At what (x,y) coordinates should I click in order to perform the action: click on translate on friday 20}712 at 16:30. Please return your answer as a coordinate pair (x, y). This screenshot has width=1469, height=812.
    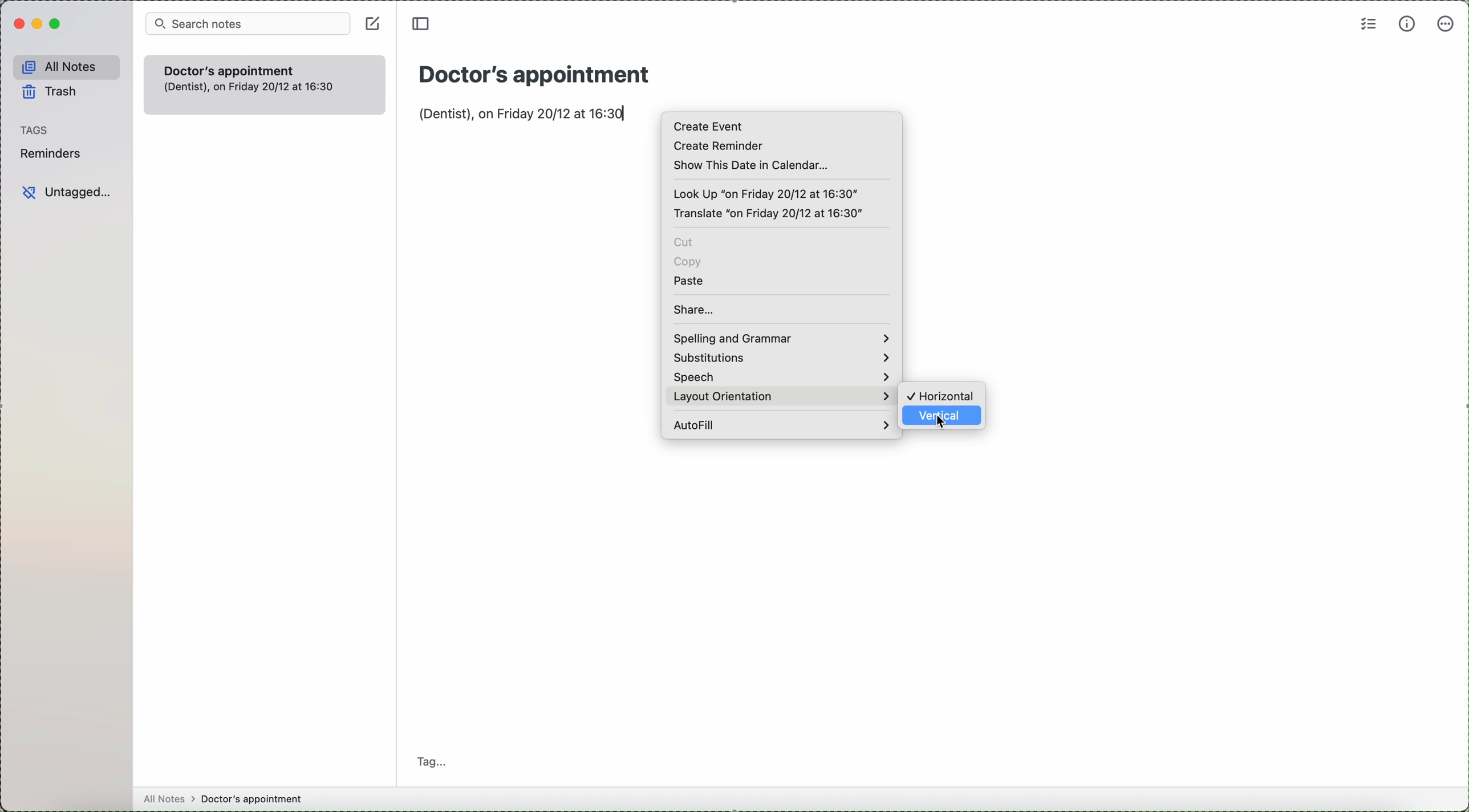
    Looking at the image, I should click on (768, 214).